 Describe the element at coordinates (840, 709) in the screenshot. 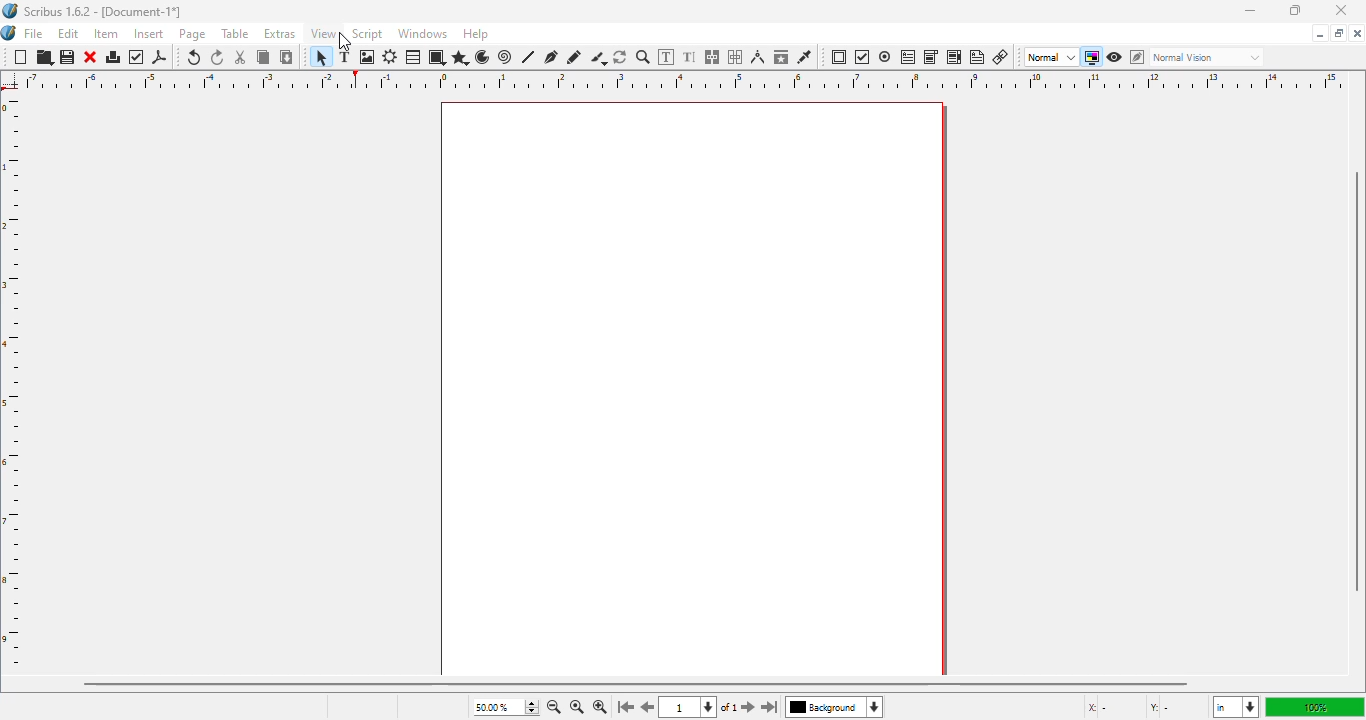

I see `background` at that location.